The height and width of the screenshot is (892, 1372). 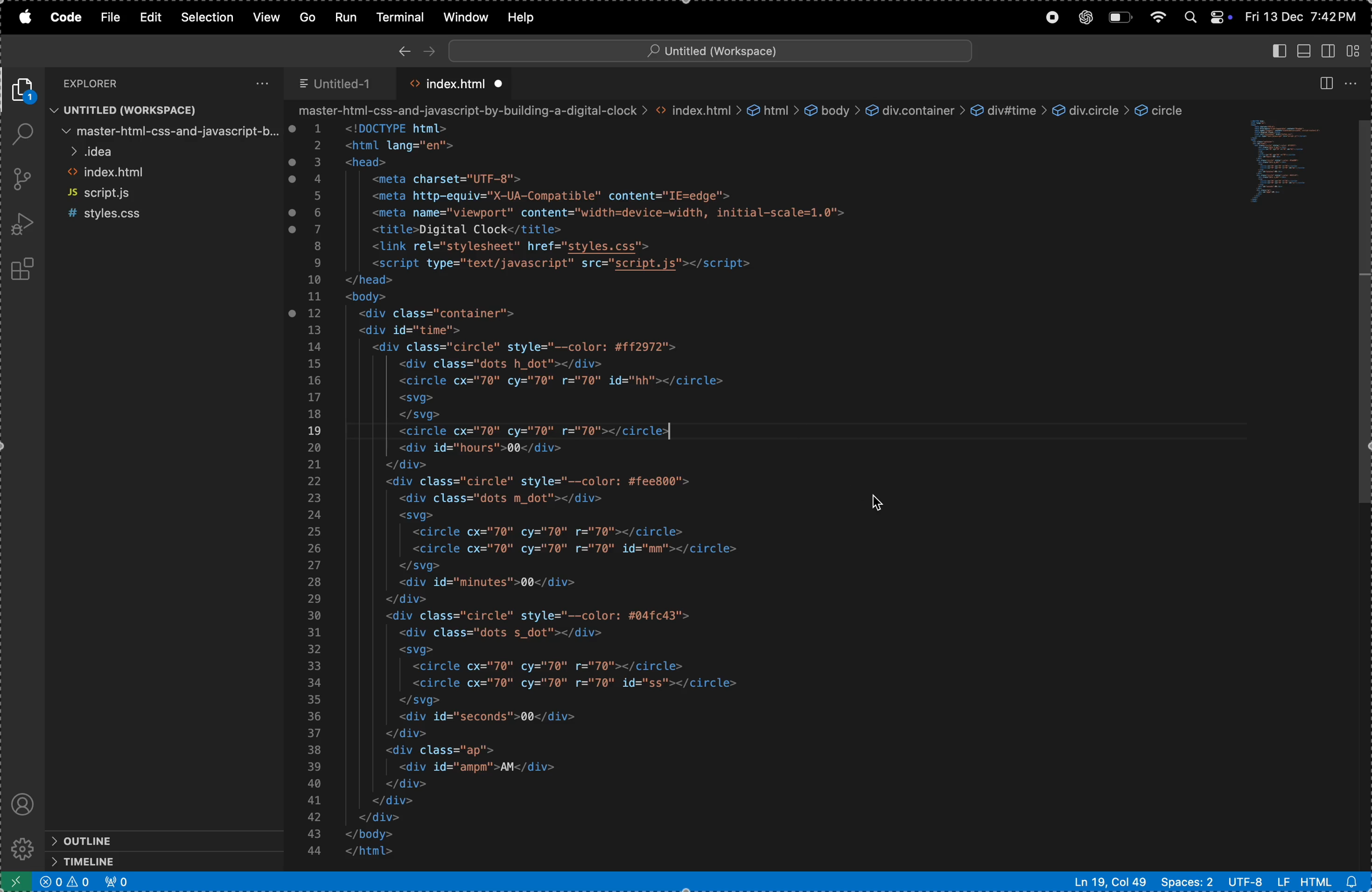 I want to click on terminal, so click(x=402, y=16).